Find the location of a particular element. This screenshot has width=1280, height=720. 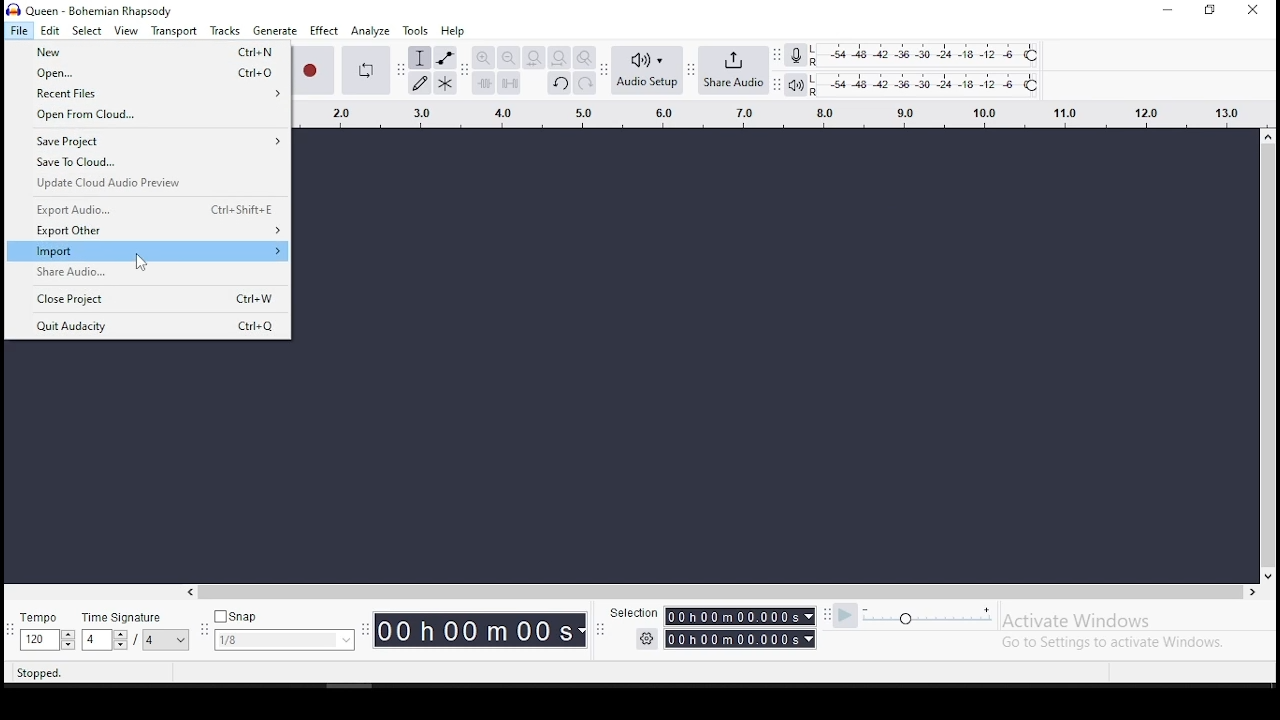

minimize is located at coordinates (1165, 10).